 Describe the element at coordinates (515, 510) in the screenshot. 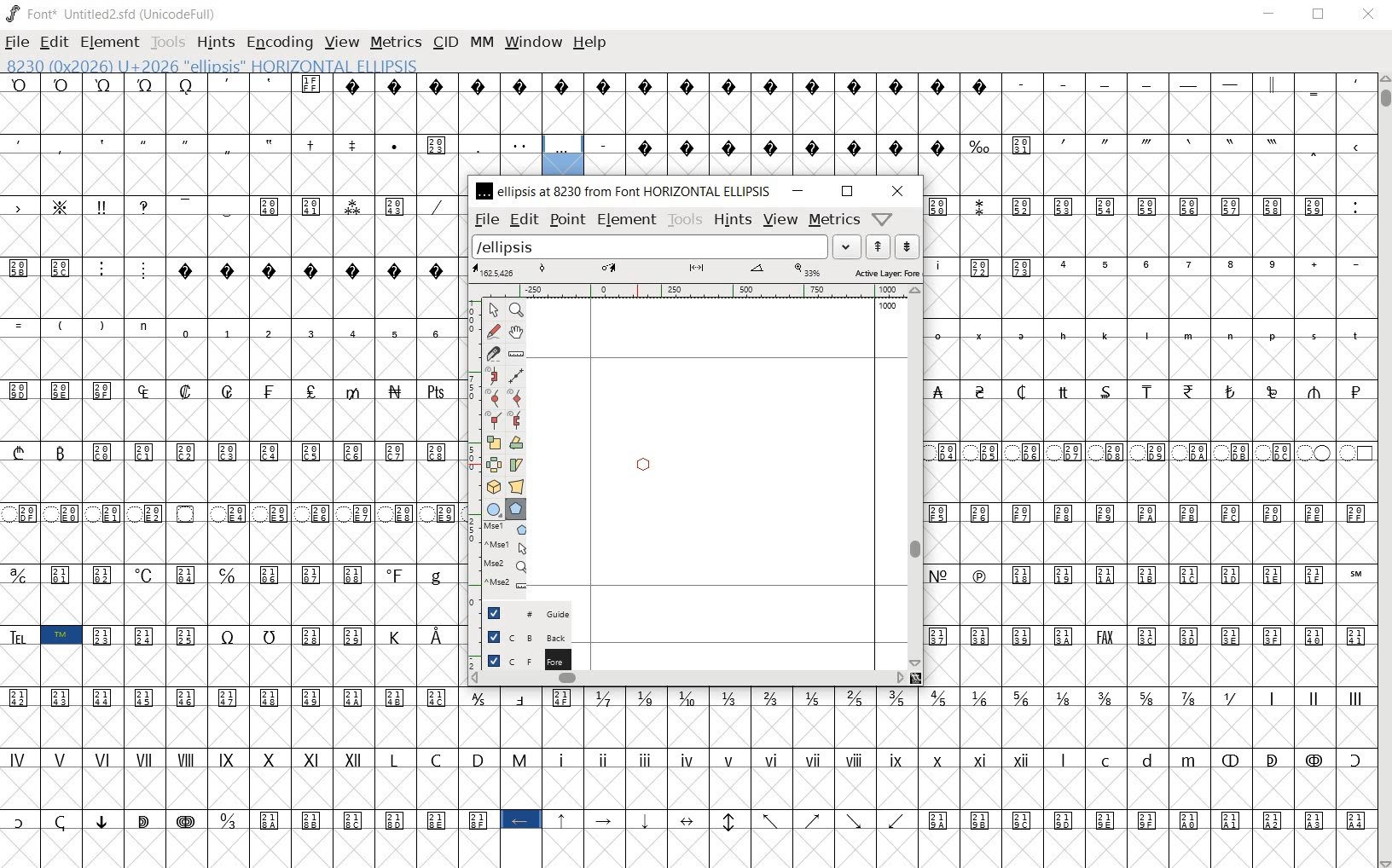

I see `polygon or star` at that location.